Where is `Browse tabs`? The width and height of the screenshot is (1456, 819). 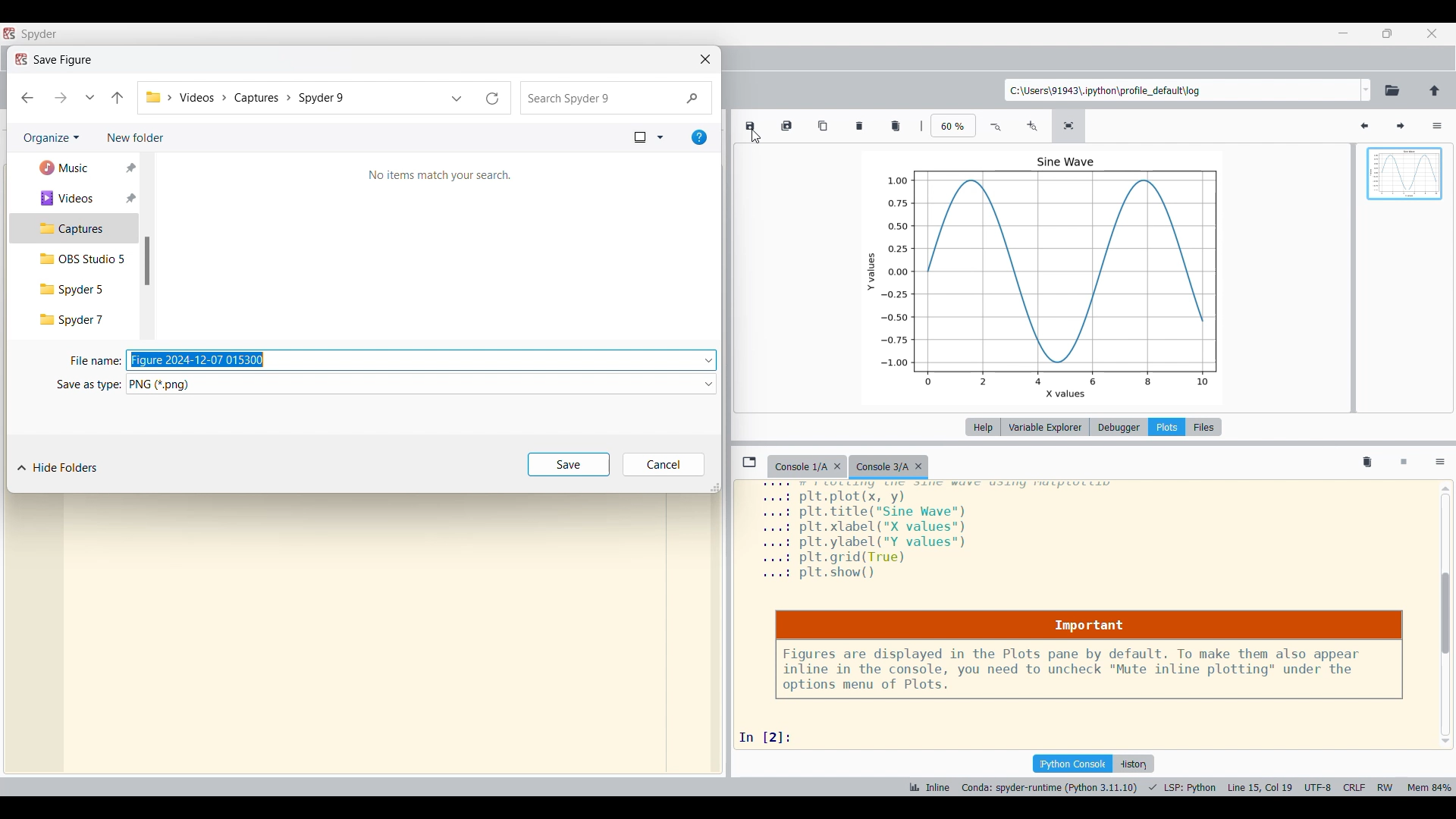 Browse tabs is located at coordinates (749, 462).